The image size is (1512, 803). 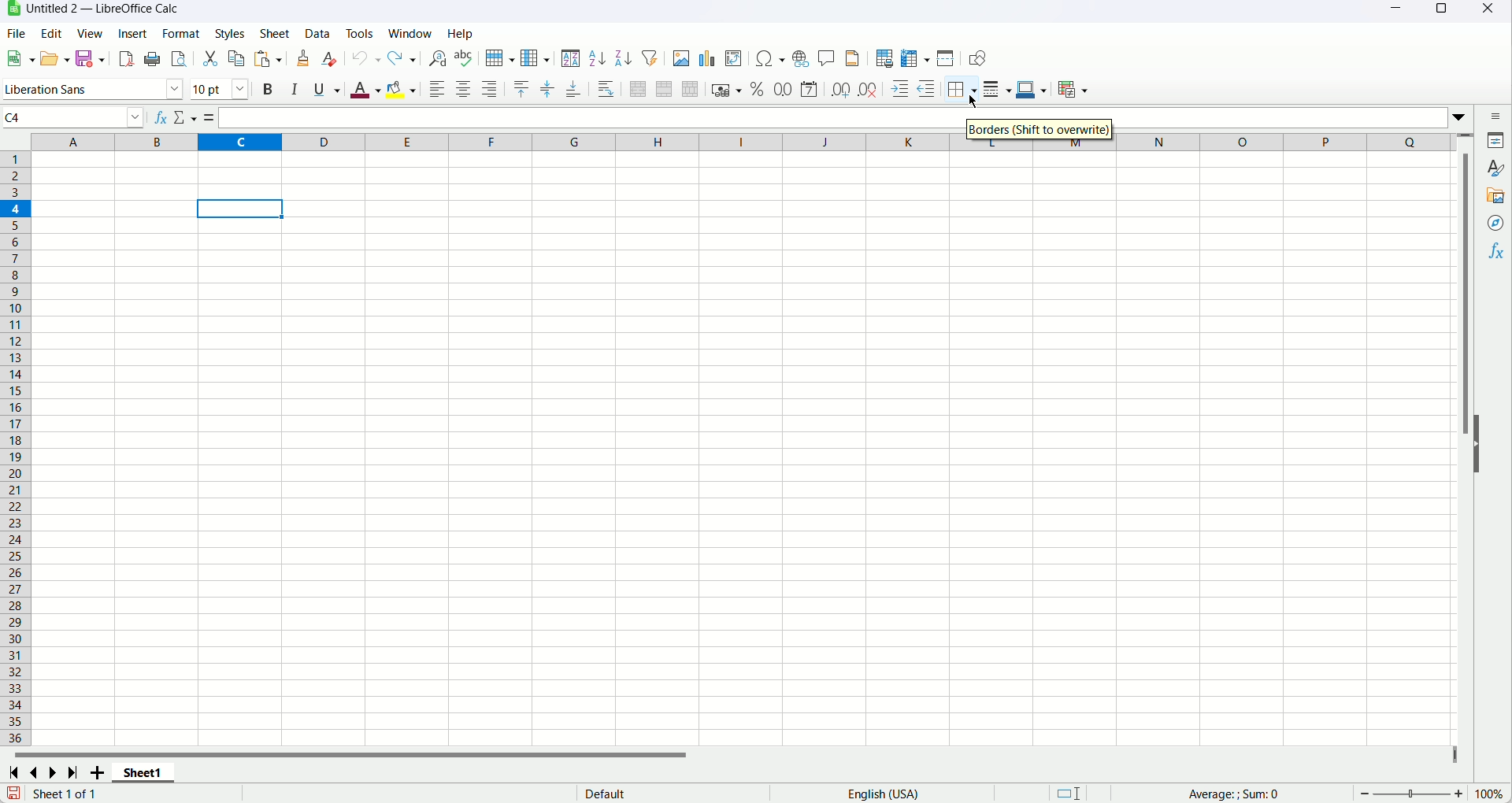 What do you see at coordinates (707, 58) in the screenshot?
I see `Insert chart` at bounding box center [707, 58].